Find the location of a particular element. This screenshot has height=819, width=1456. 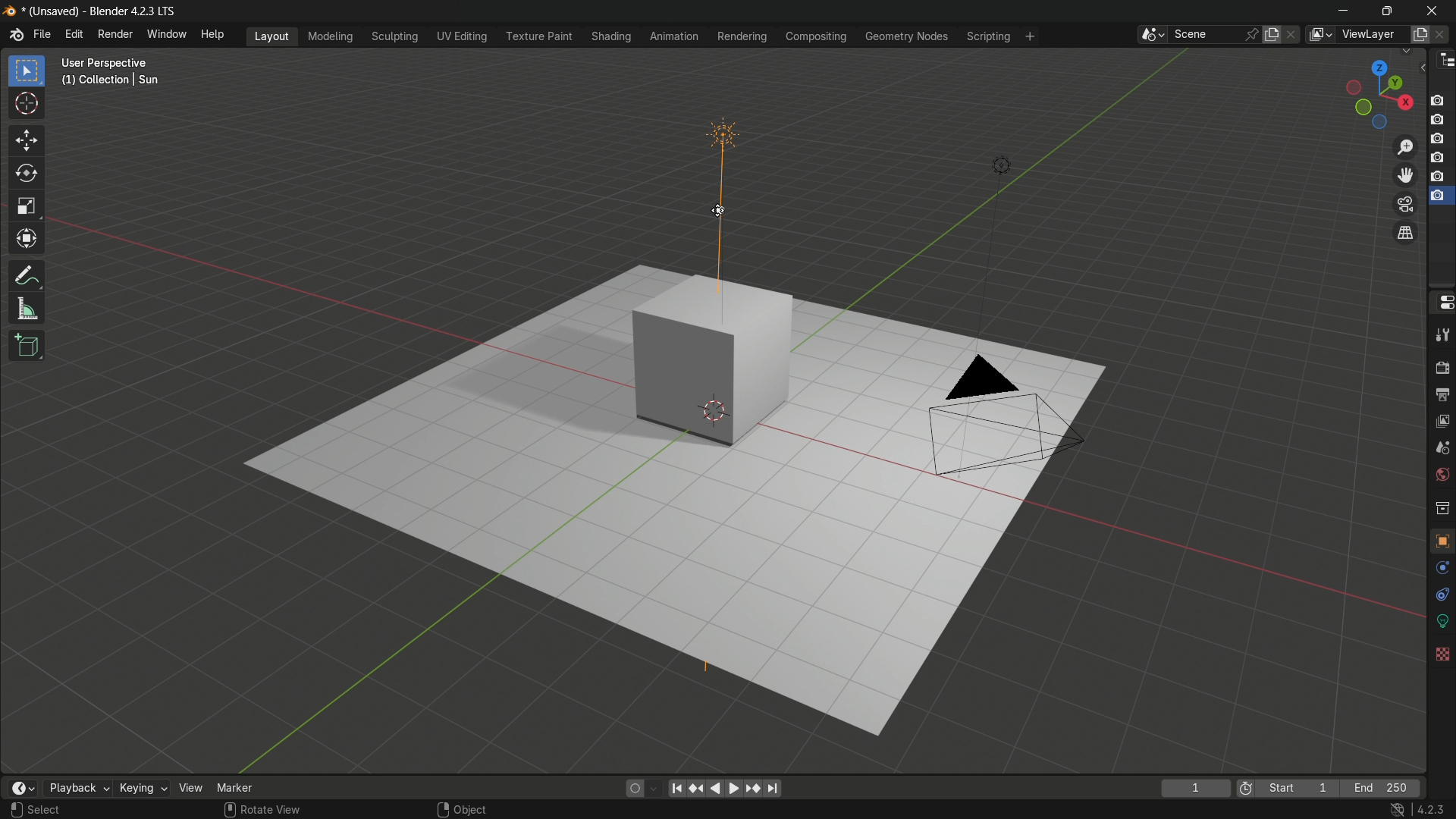

view layer is located at coordinates (1443, 422).